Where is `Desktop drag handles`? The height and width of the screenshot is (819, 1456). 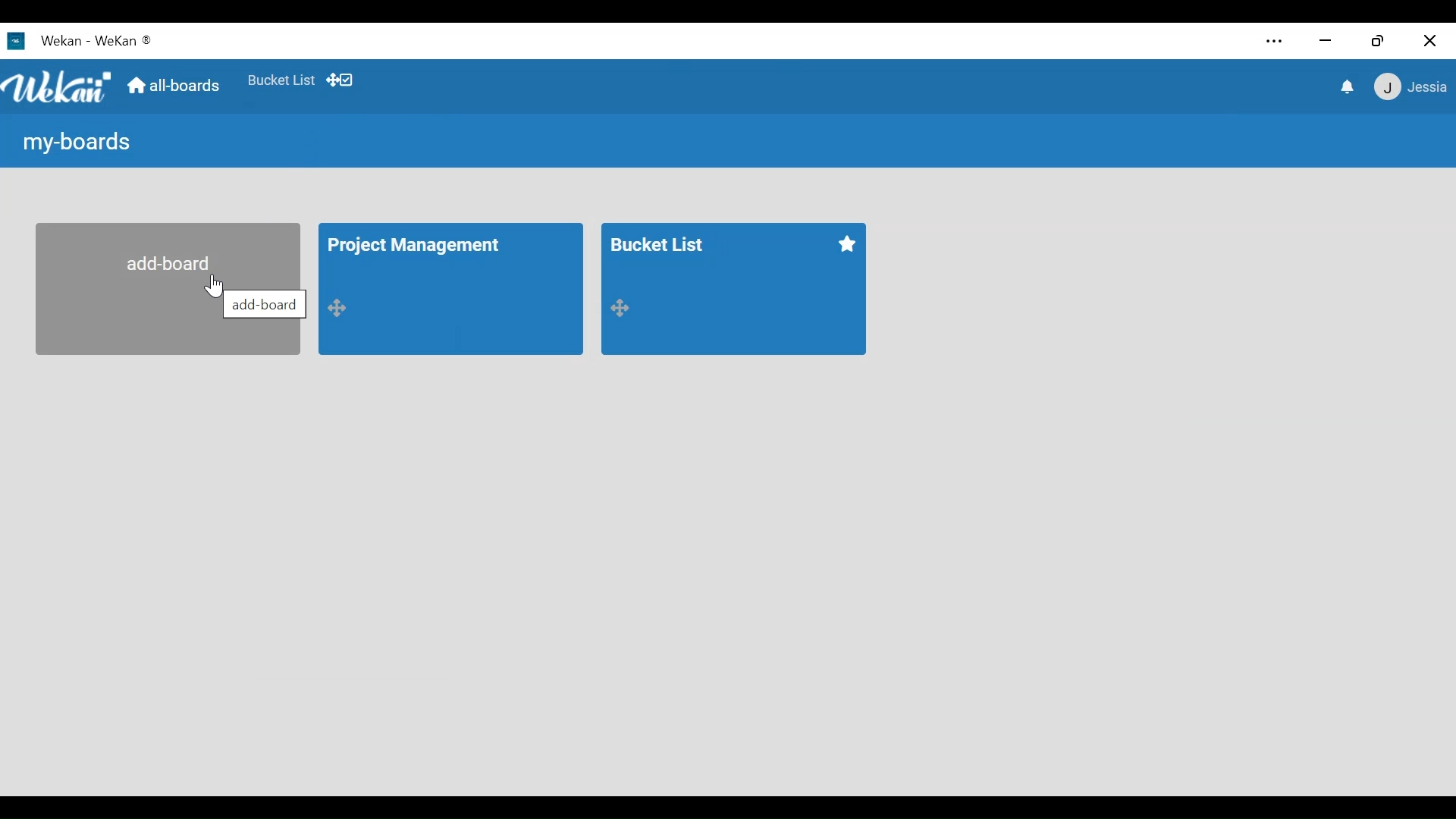
Desktop drag handles is located at coordinates (339, 80).